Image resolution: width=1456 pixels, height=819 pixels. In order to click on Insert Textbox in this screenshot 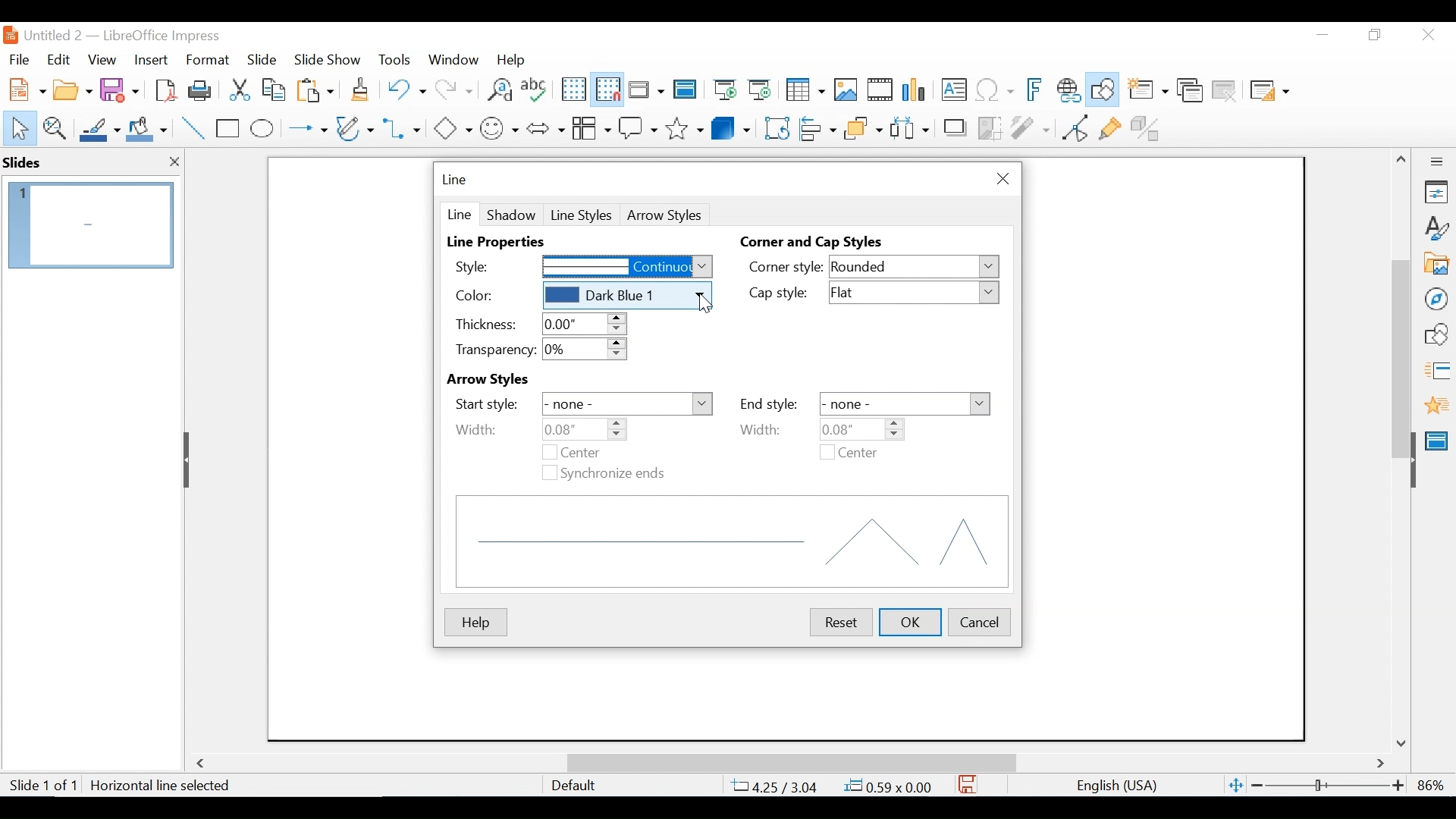, I will do `click(952, 91)`.